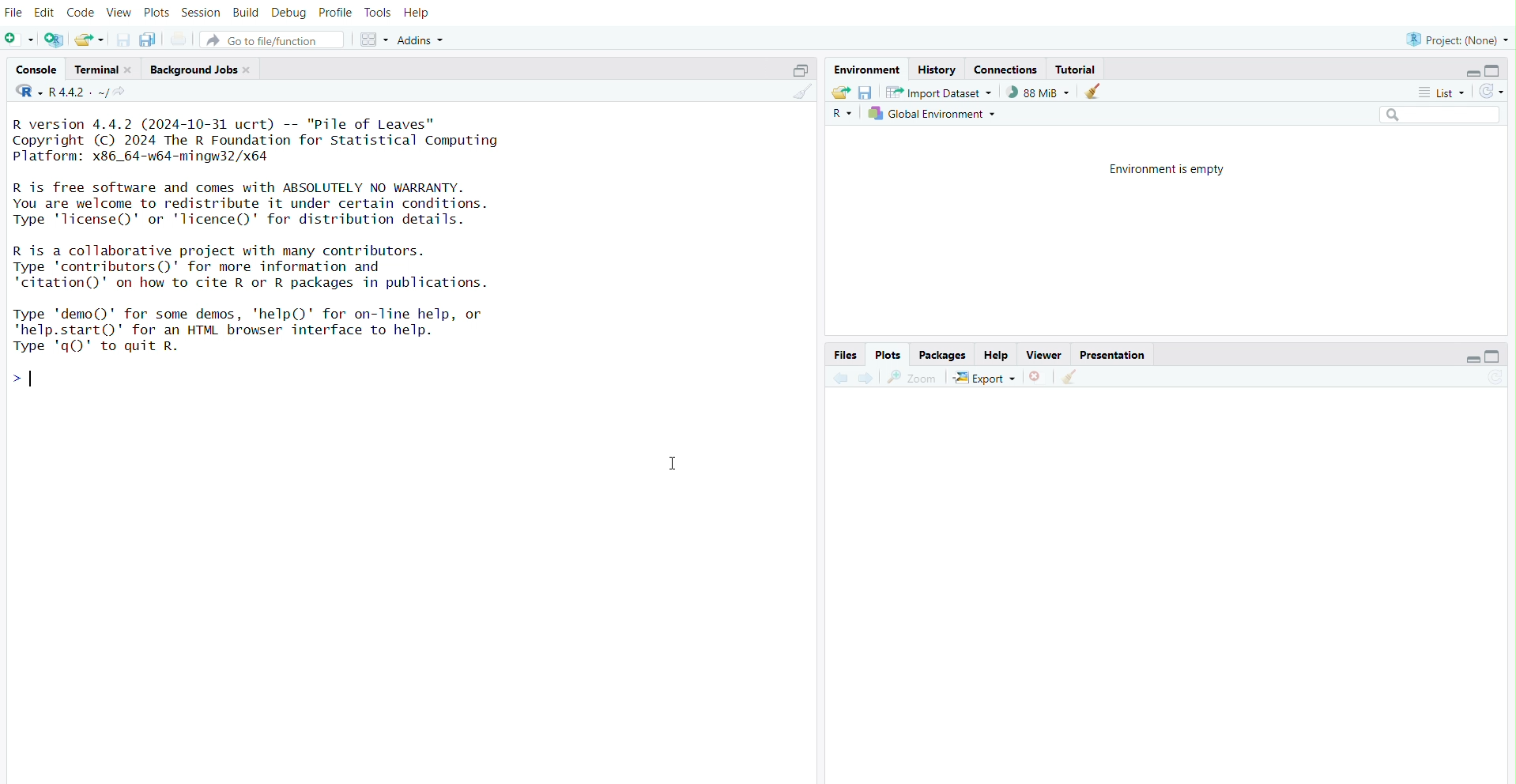 Image resolution: width=1516 pixels, height=784 pixels. What do you see at coordinates (941, 92) in the screenshot?
I see `import dataset` at bounding box center [941, 92].